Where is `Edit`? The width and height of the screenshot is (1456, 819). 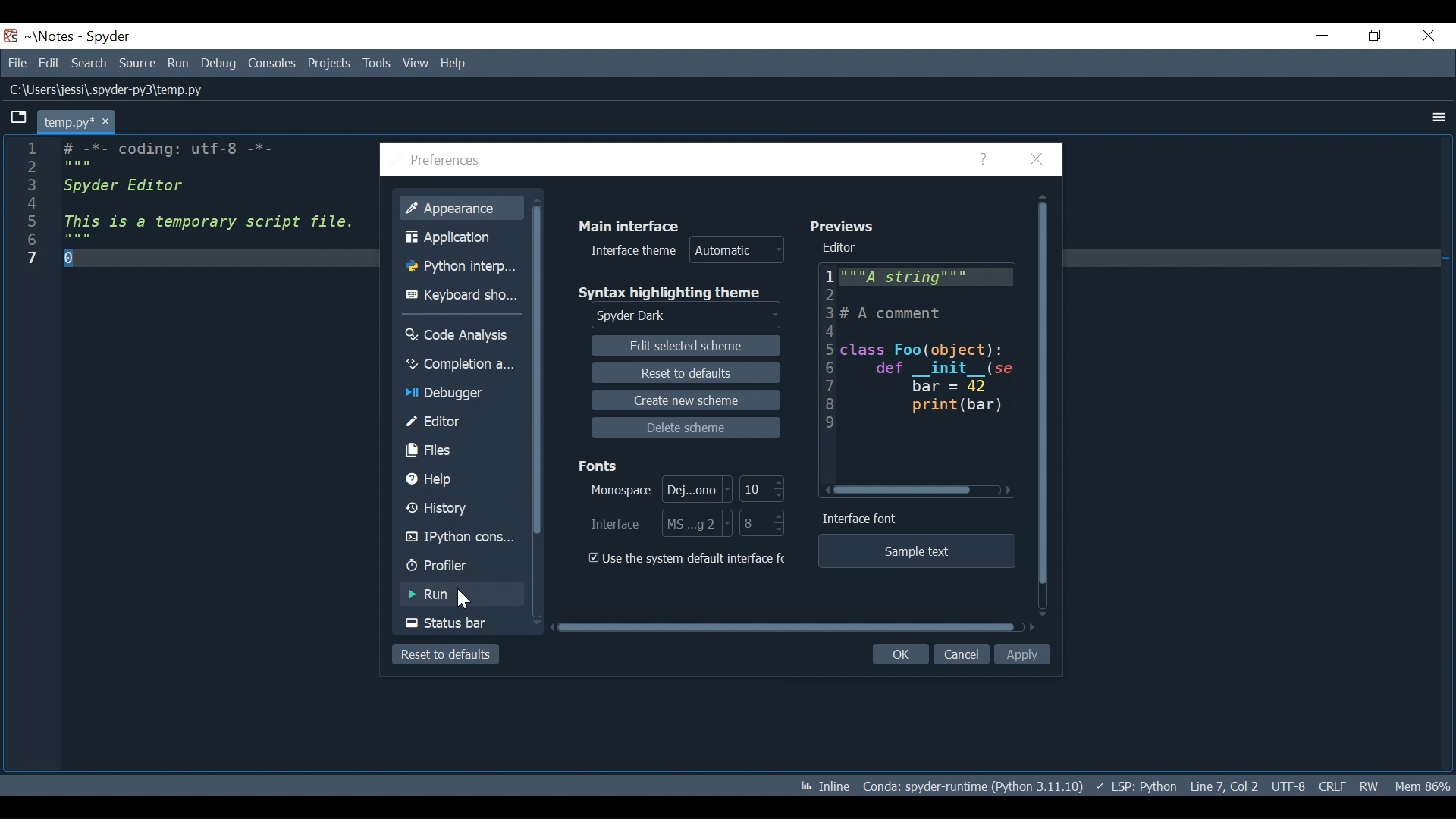
Edit is located at coordinates (47, 63).